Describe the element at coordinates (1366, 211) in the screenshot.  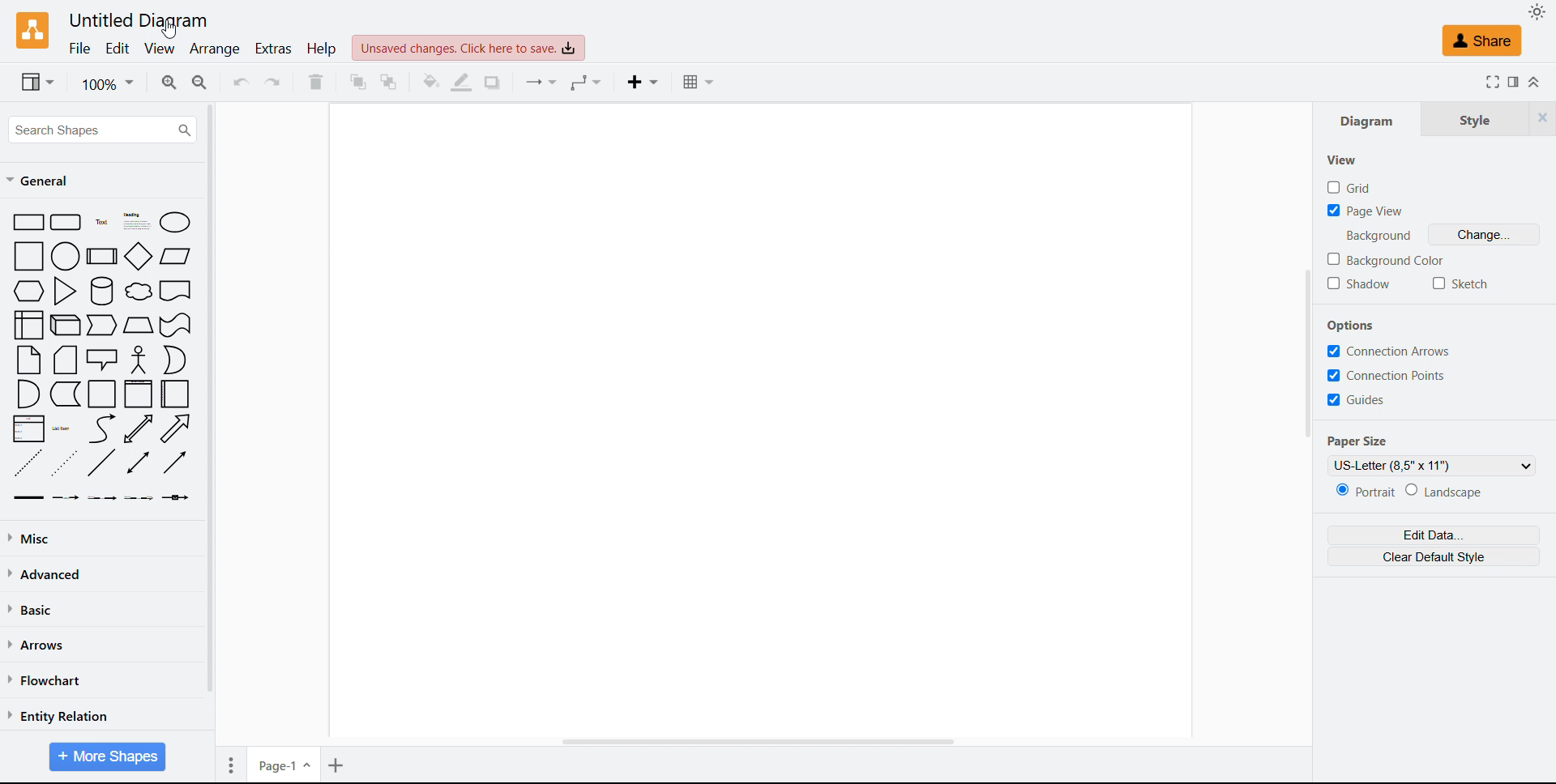
I see `Page view ` at that location.